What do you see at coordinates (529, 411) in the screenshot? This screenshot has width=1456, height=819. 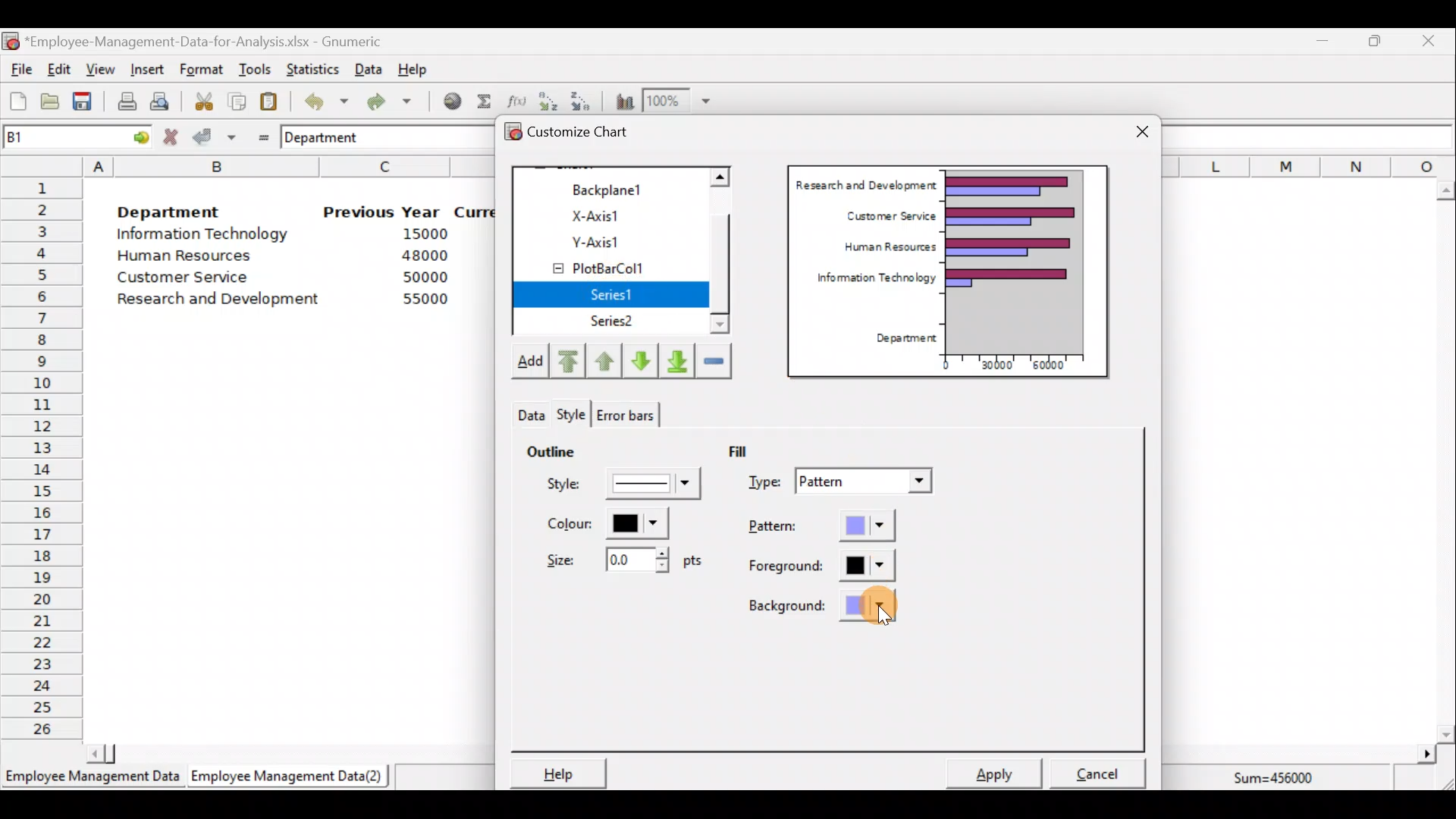 I see `Style` at bounding box center [529, 411].